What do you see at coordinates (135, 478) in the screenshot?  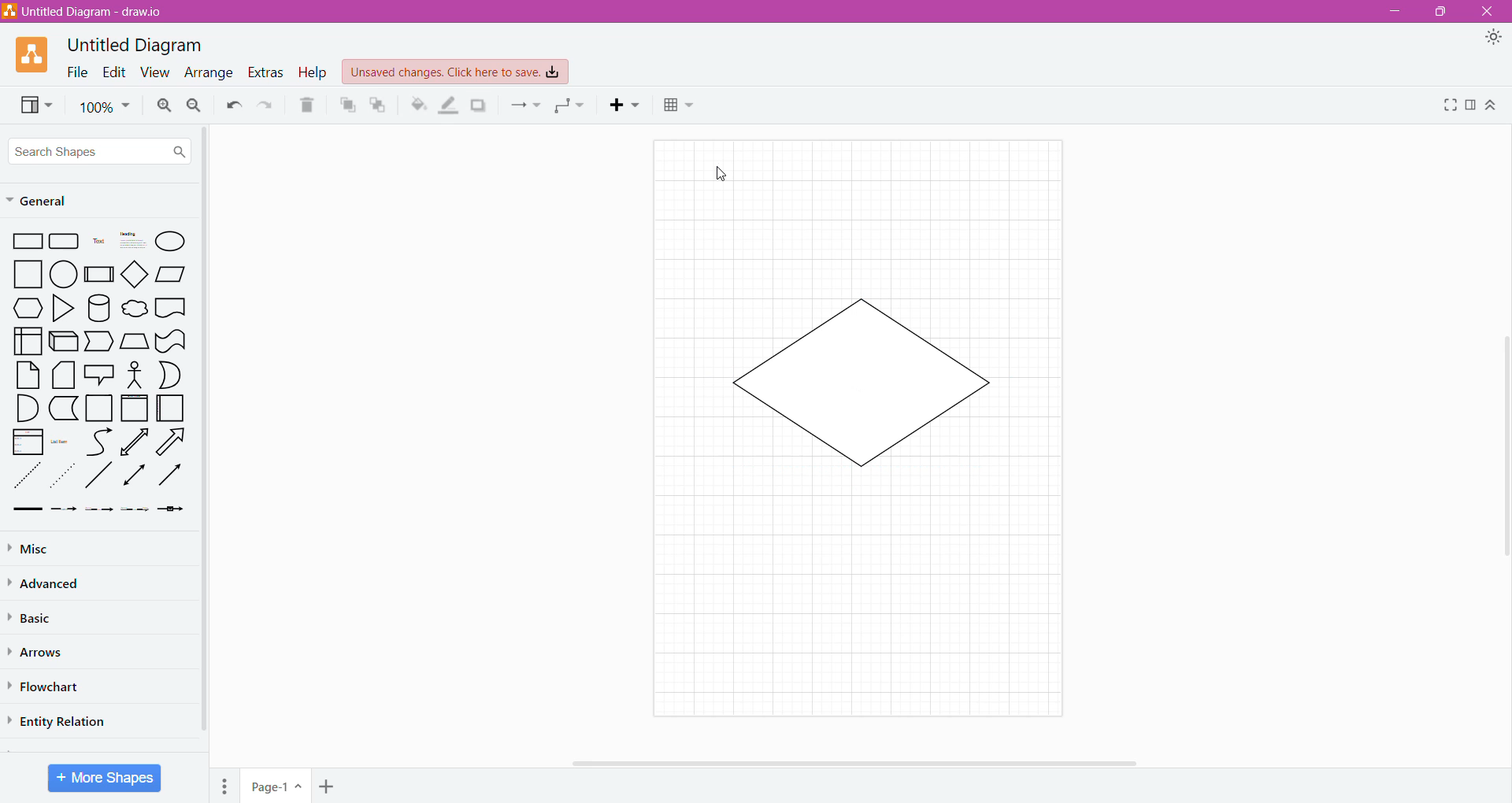 I see `Bidirectional Connector` at bounding box center [135, 478].